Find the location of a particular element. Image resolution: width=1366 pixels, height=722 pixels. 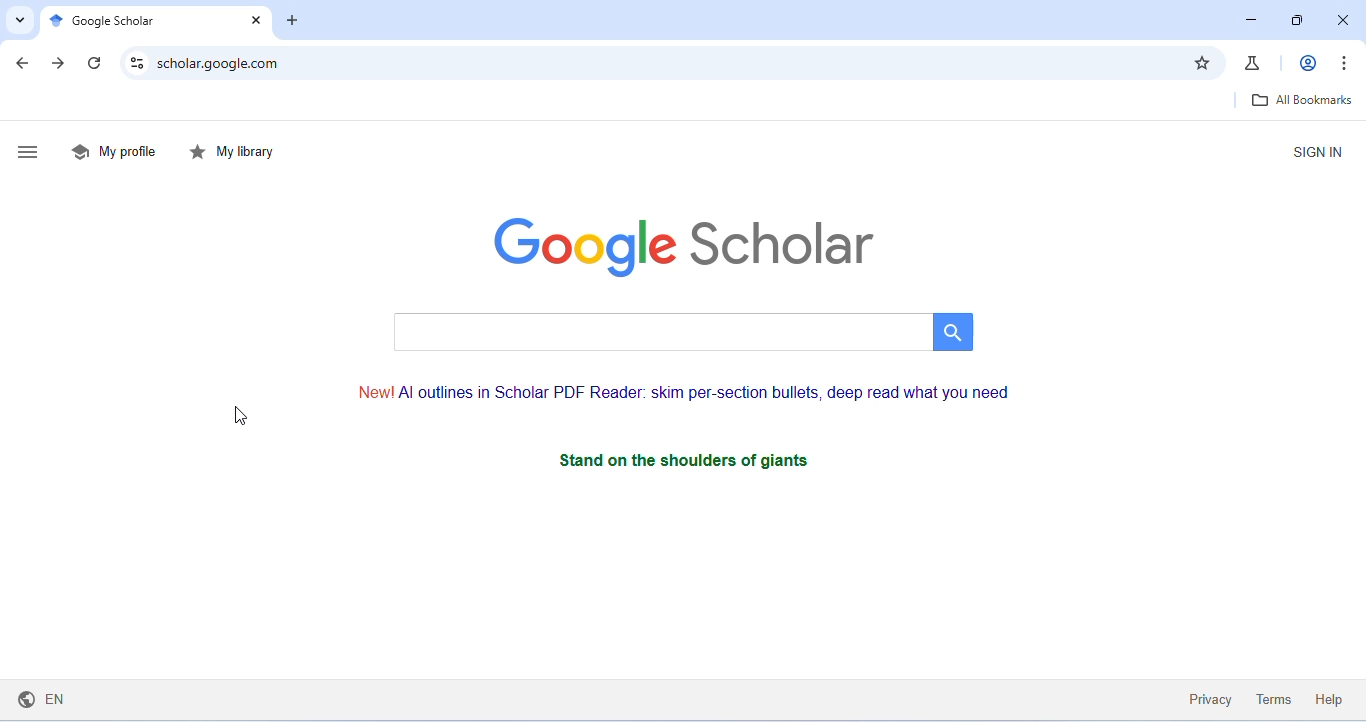

minimize is located at coordinates (1251, 19).